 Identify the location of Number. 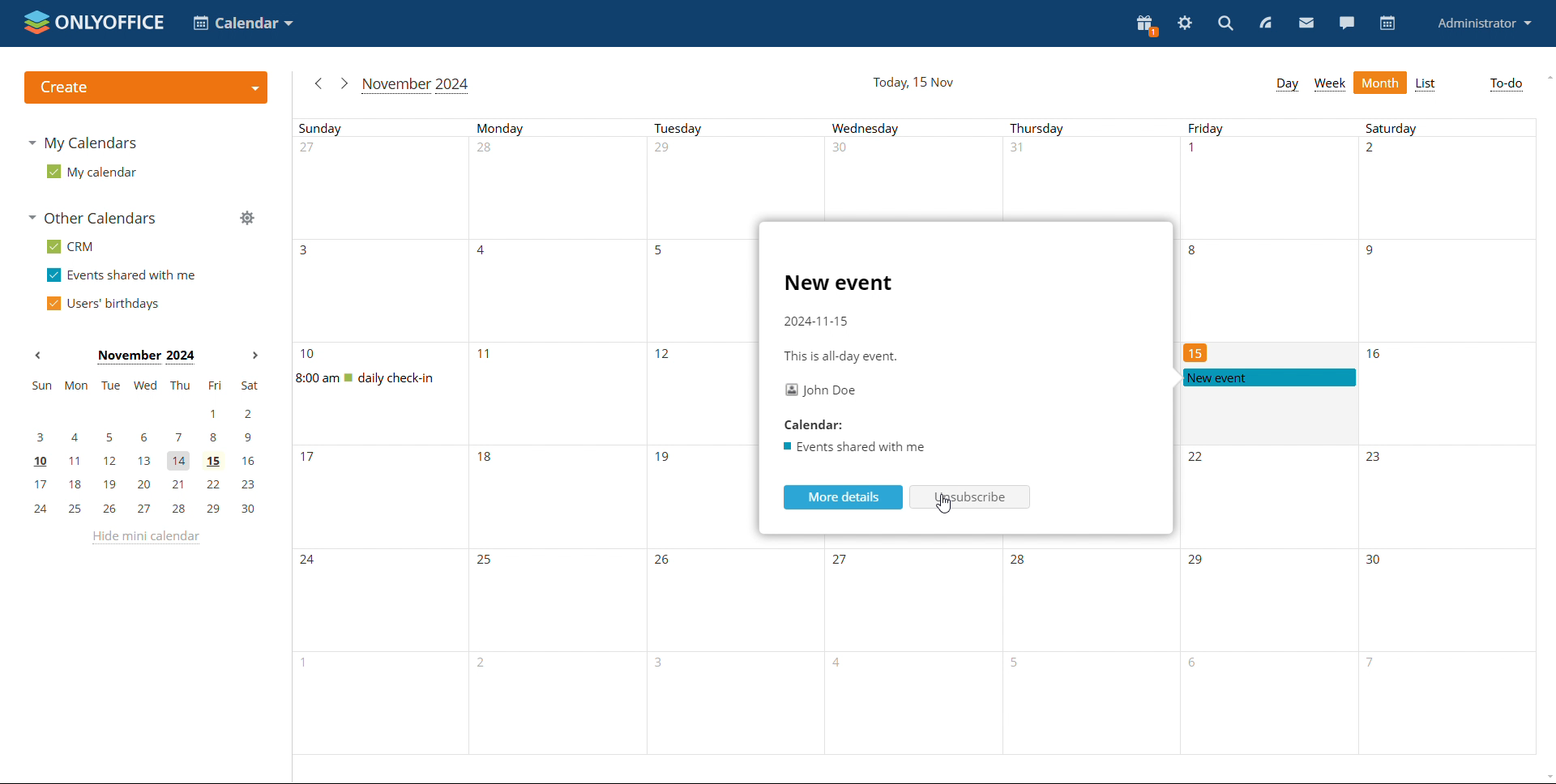
(667, 356).